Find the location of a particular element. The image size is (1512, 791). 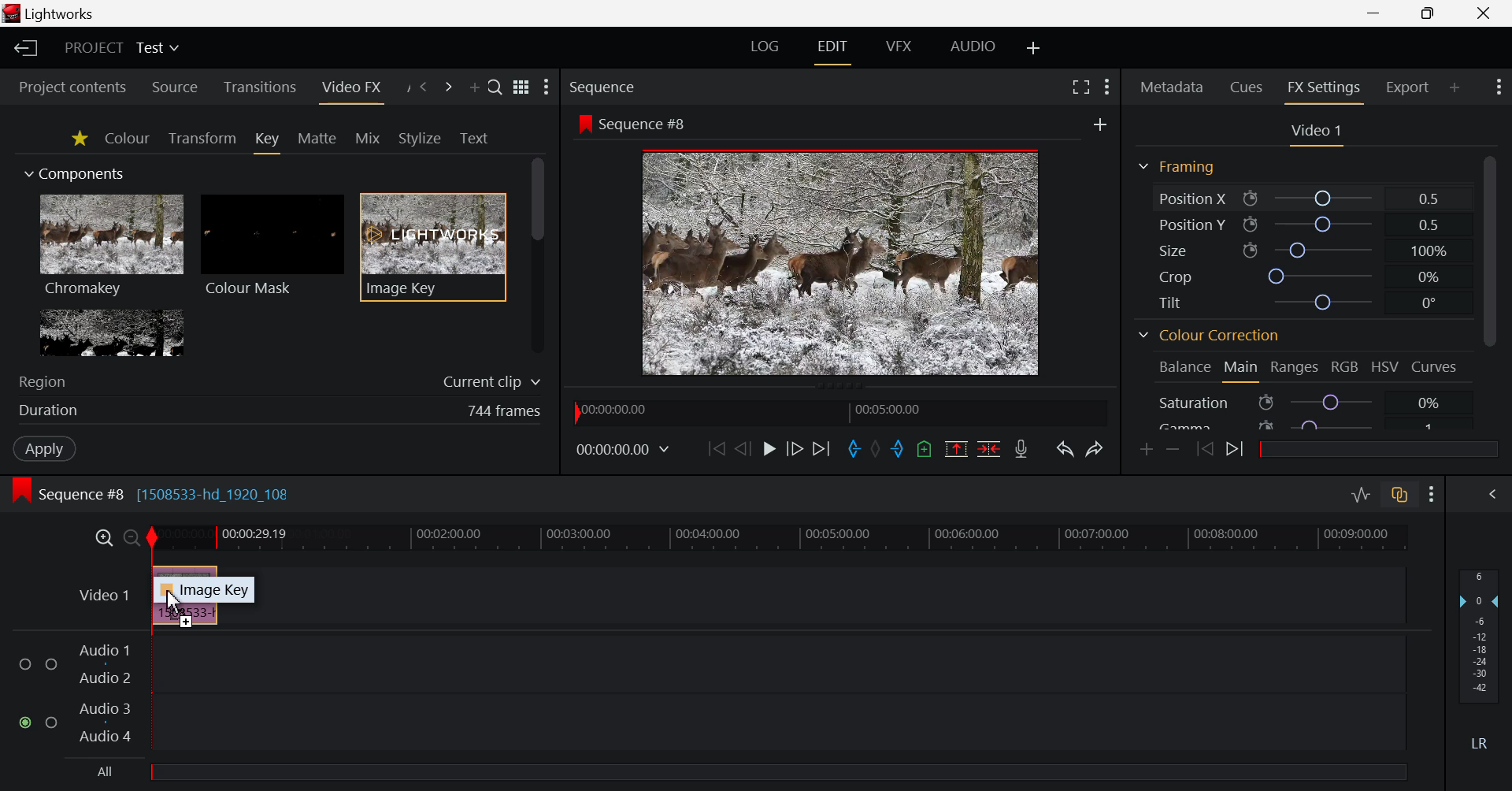

Ranges is located at coordinates (1294, 366).